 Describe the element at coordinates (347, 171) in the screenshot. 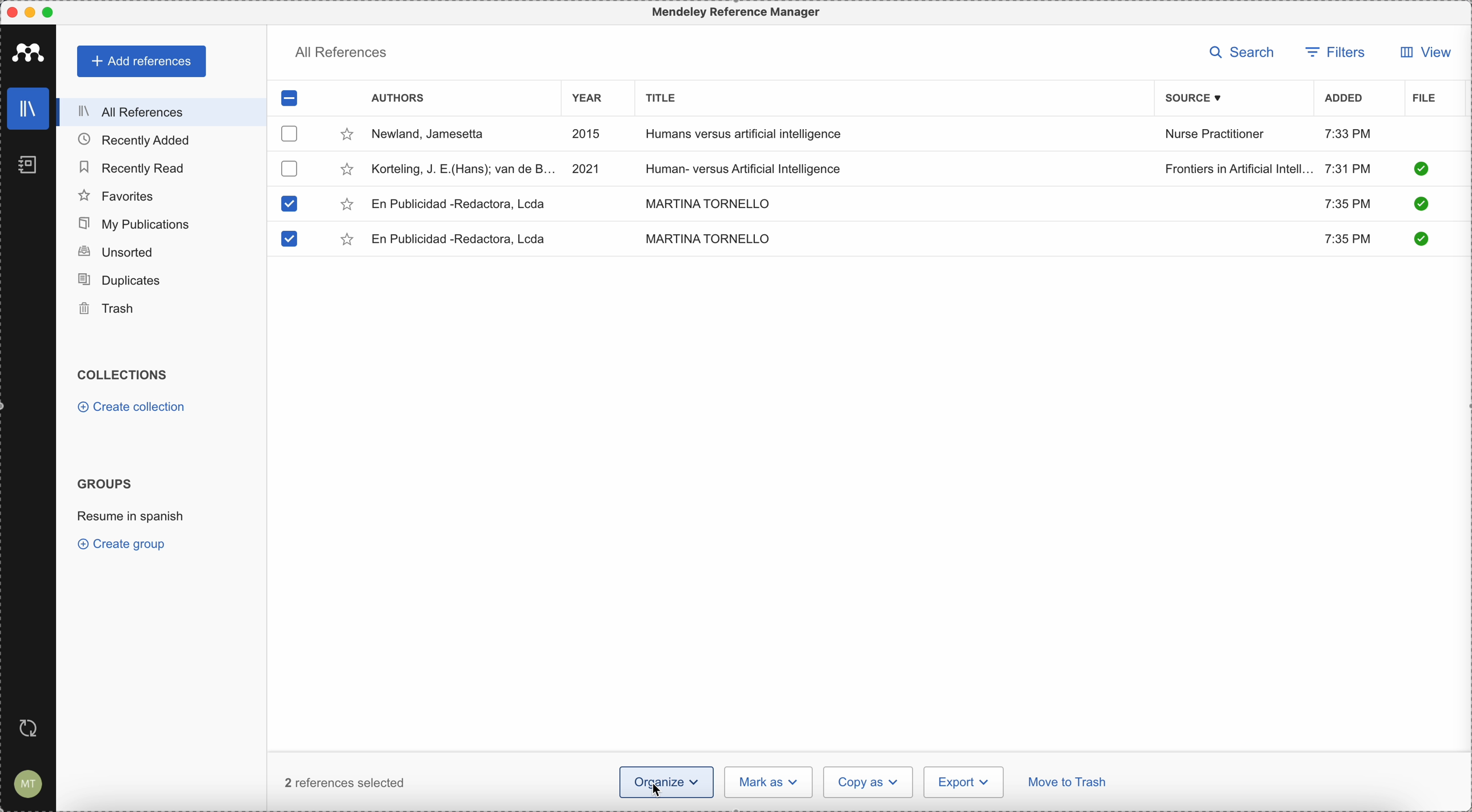

I see `favorite` at that location.